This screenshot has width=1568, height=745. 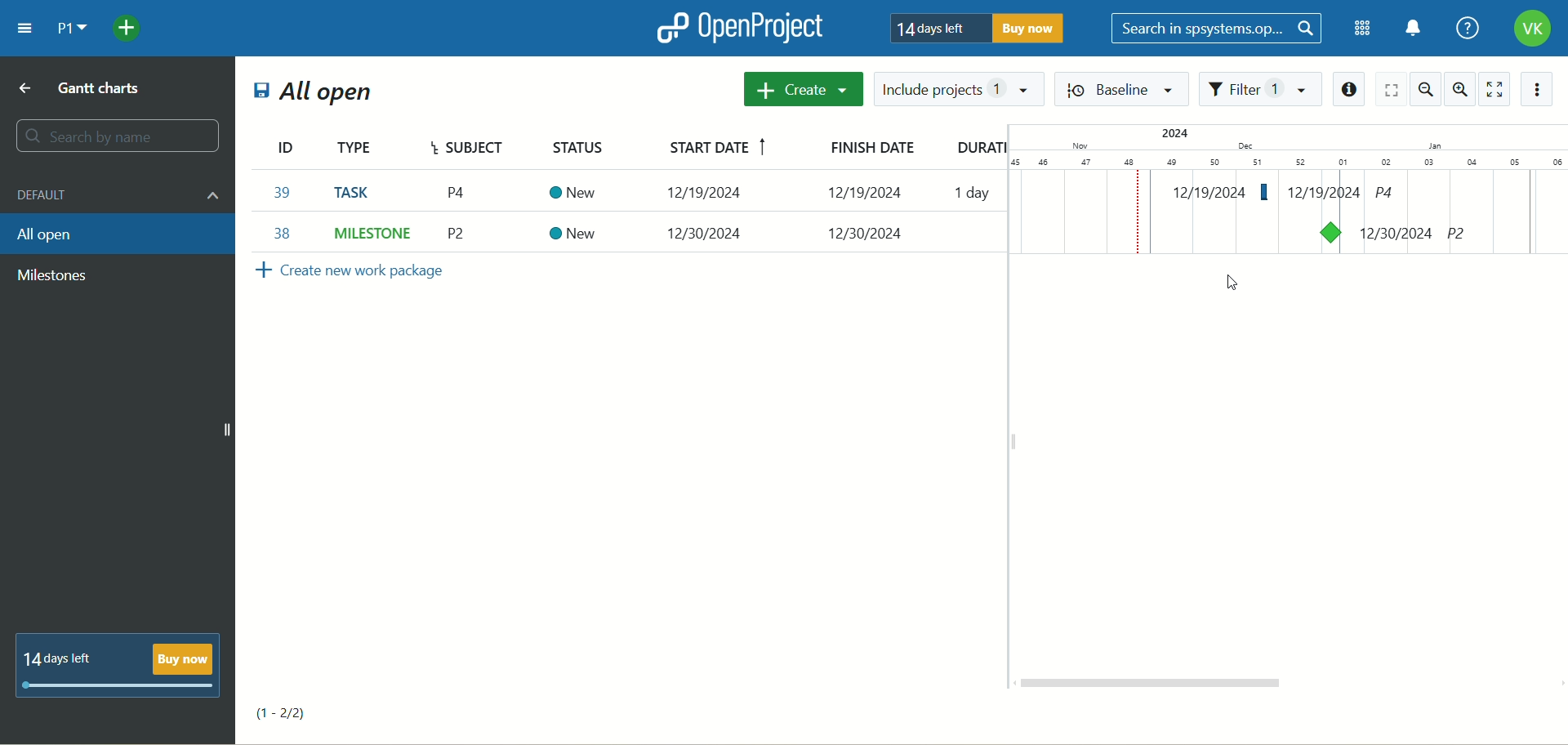 What do you see at coordinates (1540, 88) in the screenshot?
I see `action` at bounding box center [1540, 88].